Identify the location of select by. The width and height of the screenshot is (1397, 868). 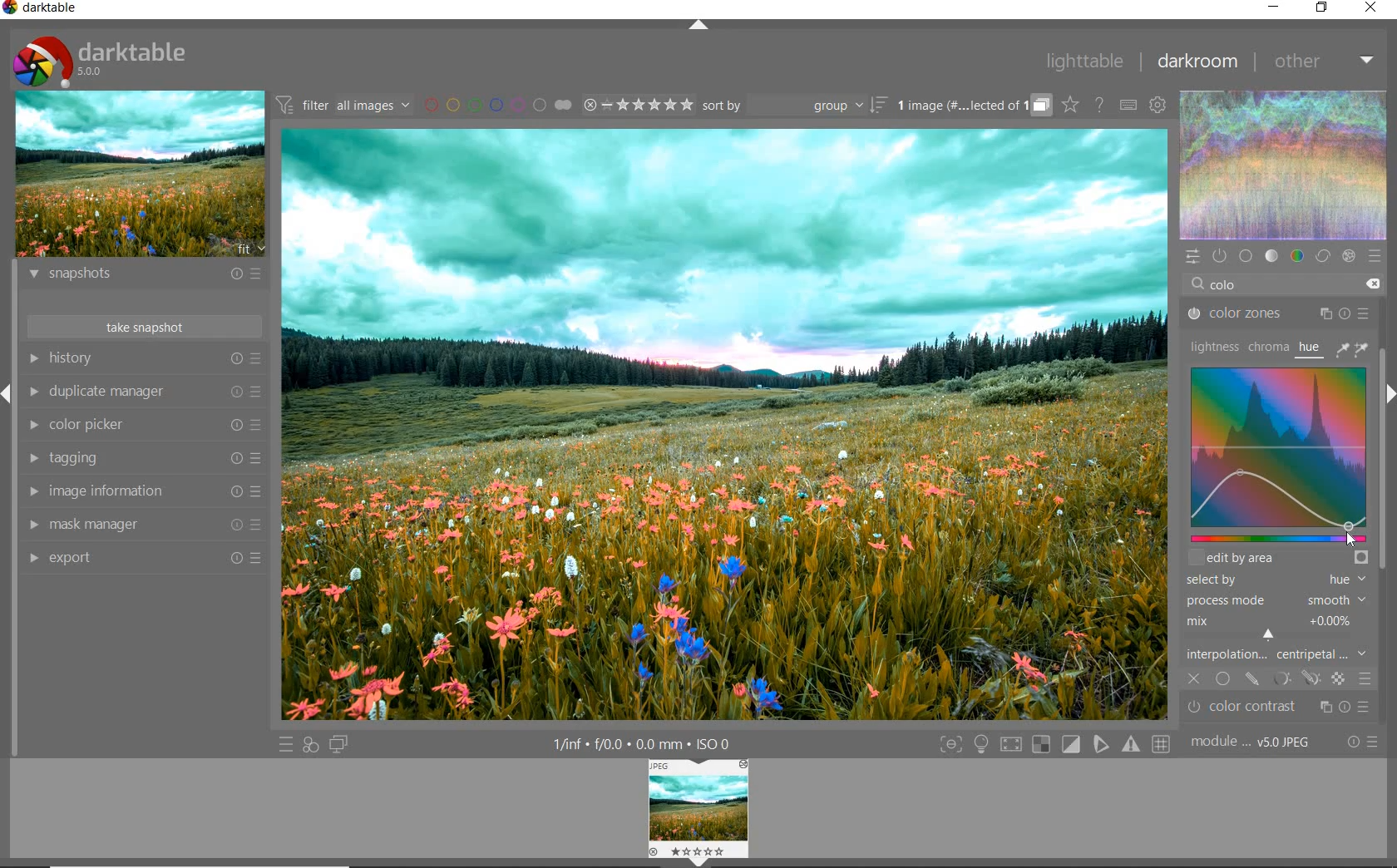
(1275, 580).